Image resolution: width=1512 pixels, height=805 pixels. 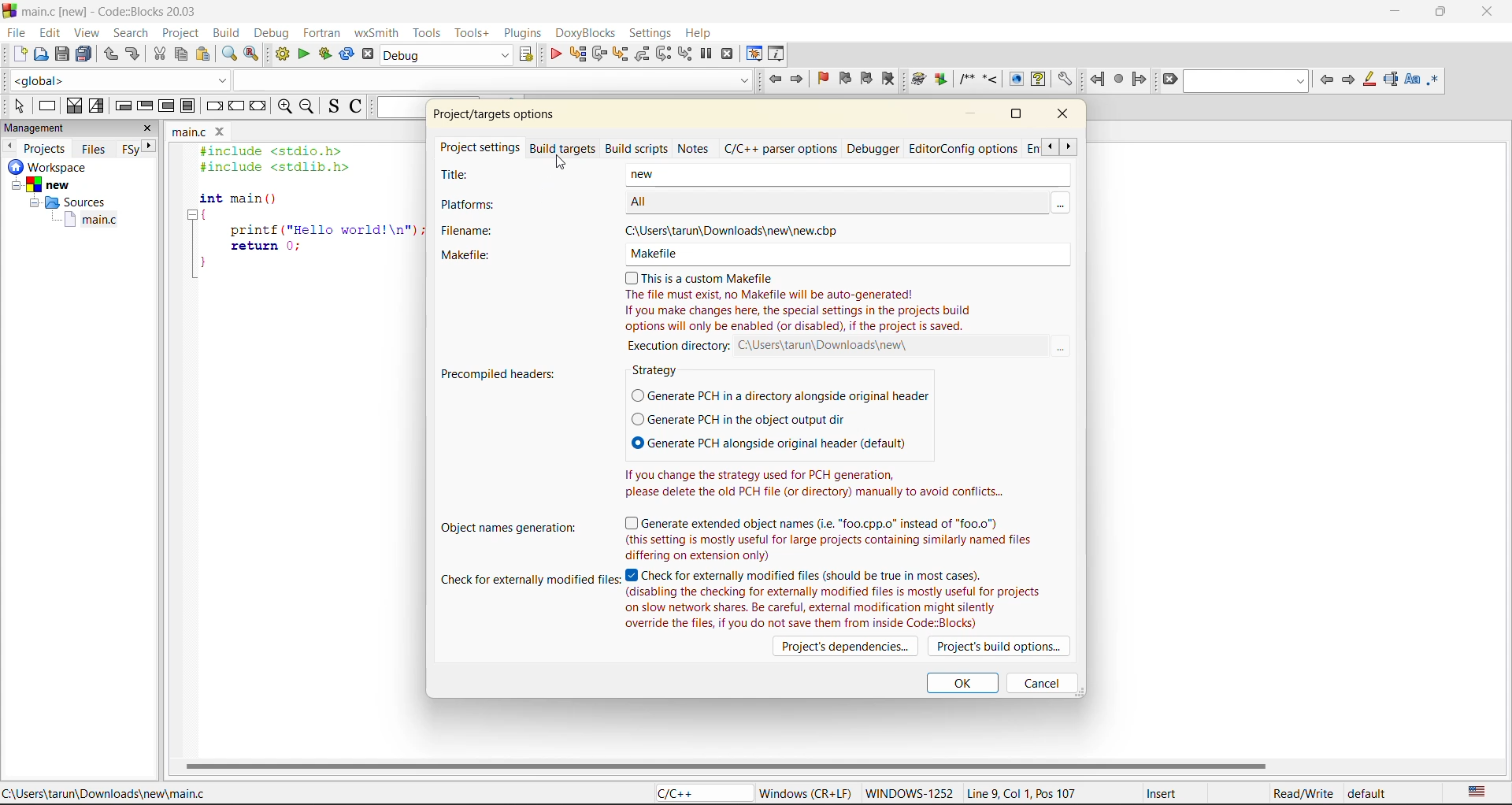 What do you see at coordinates (799, 81) in the screenshot?
I see `jump forward` at bounding box center [799, 81].